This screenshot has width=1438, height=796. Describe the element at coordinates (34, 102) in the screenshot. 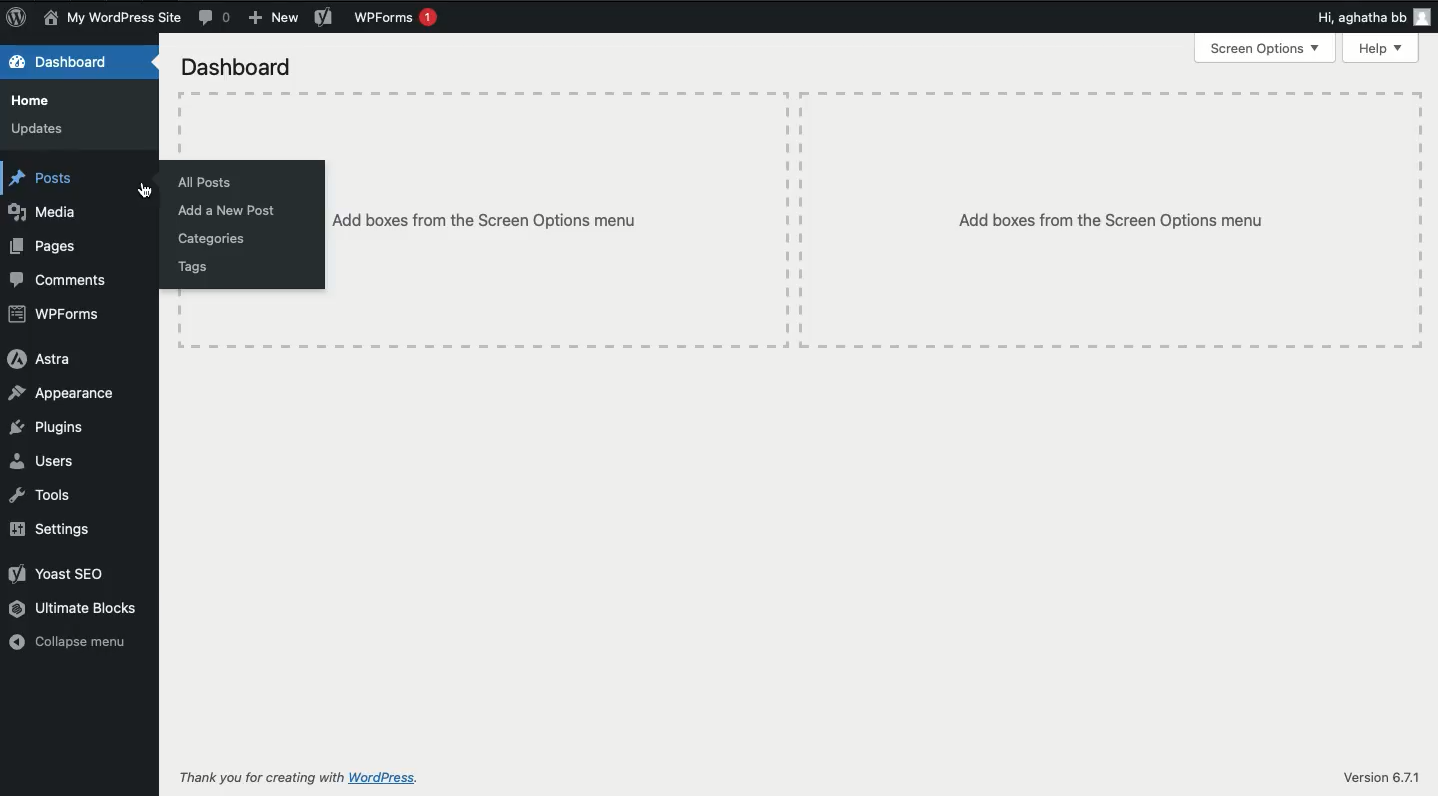

I see `Home` at that location.